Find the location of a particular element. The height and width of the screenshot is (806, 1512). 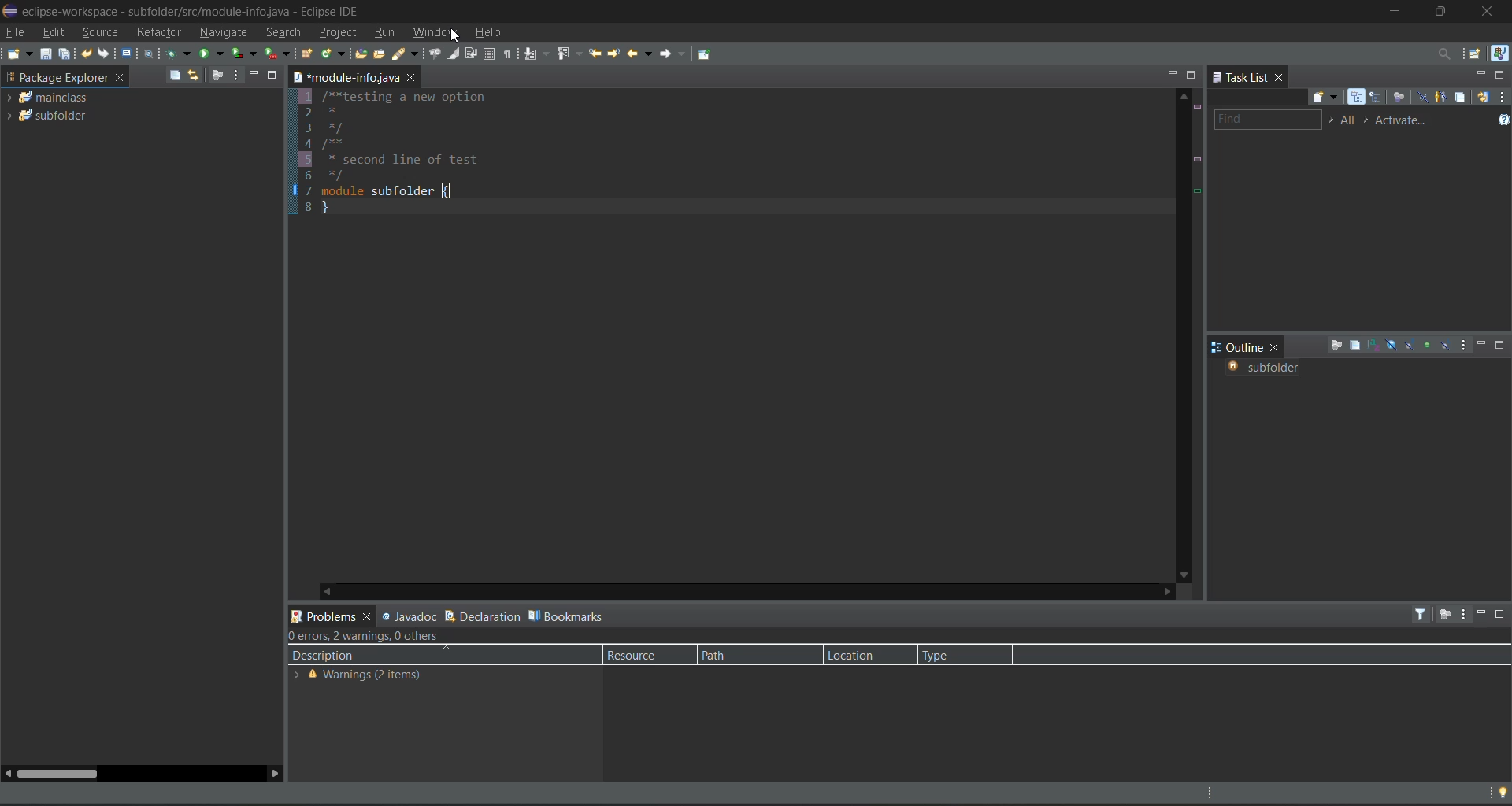

focus on active task is located at coordinates (1336, 346).